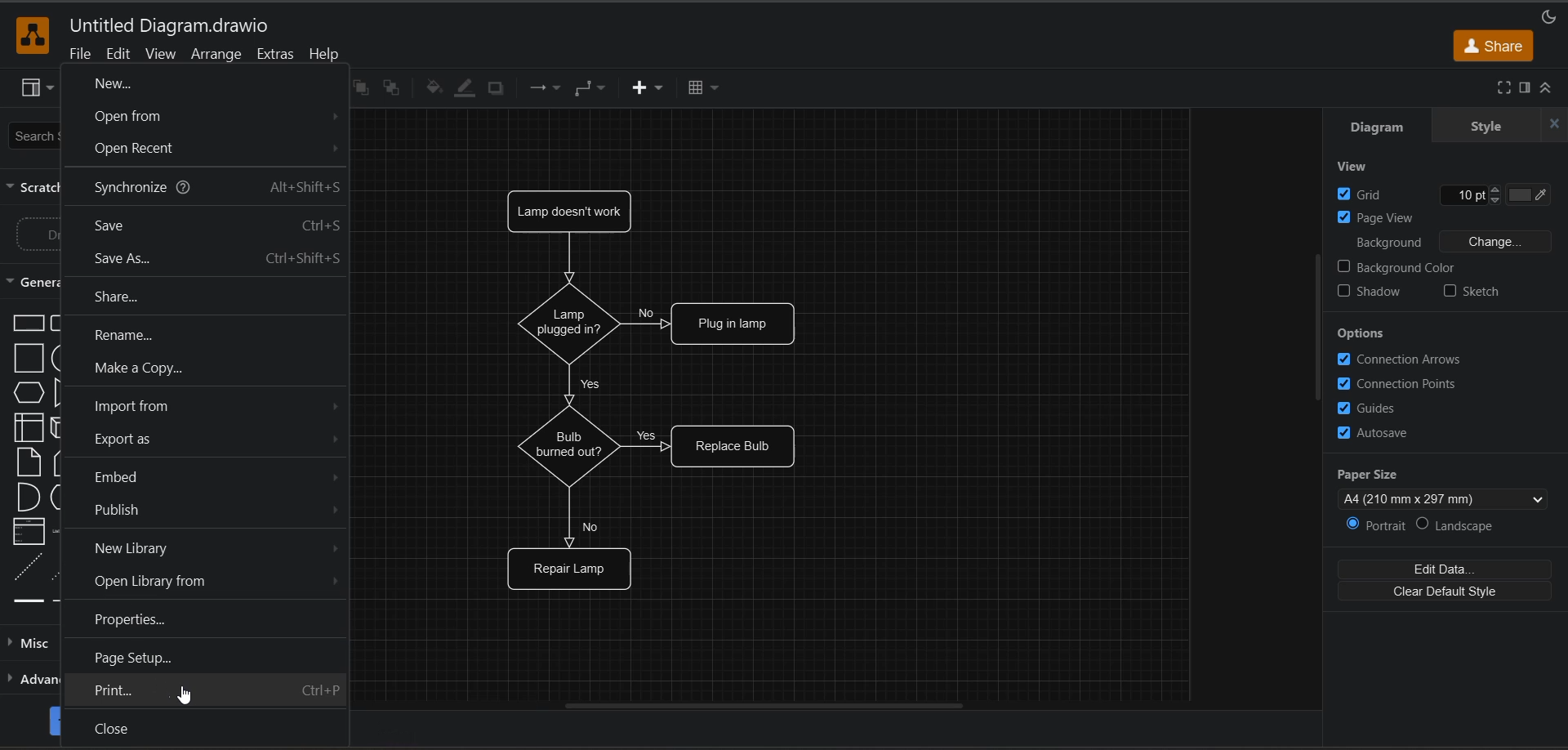  What do you see at coordinates (1550, 123) in the screenshot?
I see `hide` at bounding box center [1550, 123].